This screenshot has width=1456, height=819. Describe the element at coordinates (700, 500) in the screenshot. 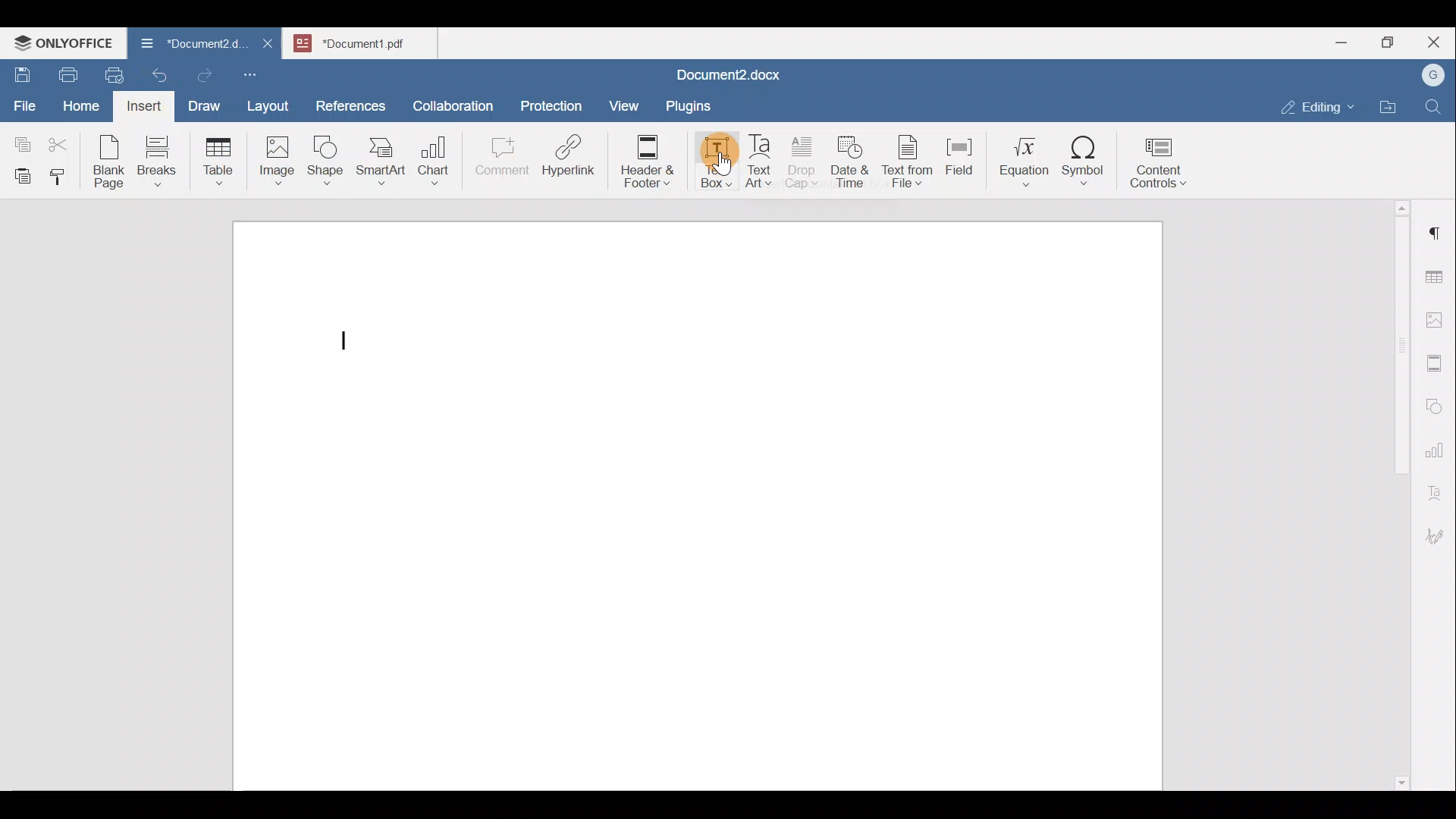

I see `Working area` at that location.